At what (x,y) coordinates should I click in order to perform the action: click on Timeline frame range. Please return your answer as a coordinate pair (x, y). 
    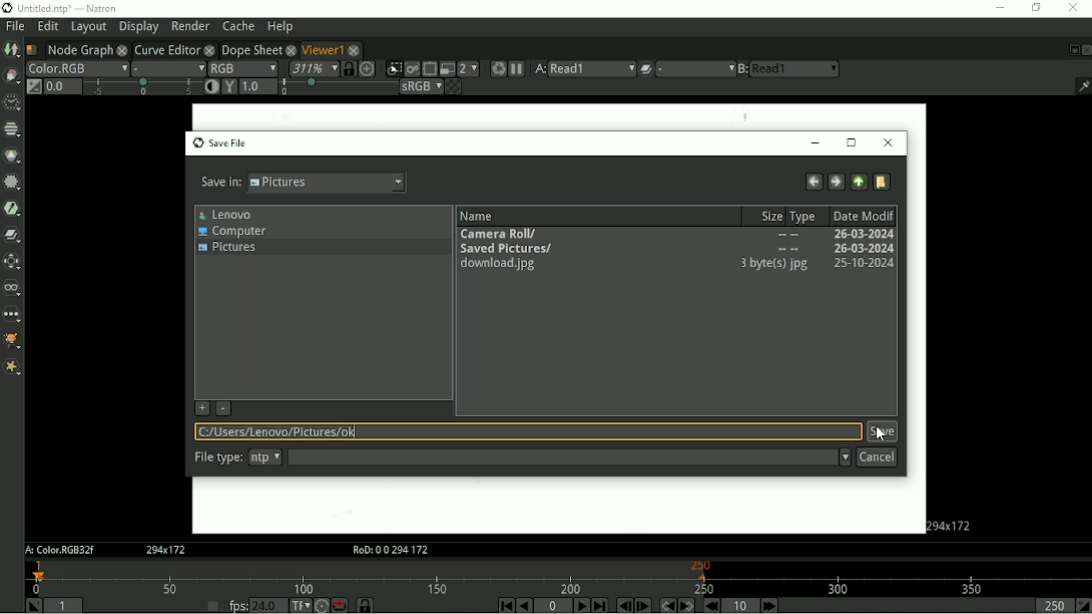
    Looking at the image, I should click on (364, 606).